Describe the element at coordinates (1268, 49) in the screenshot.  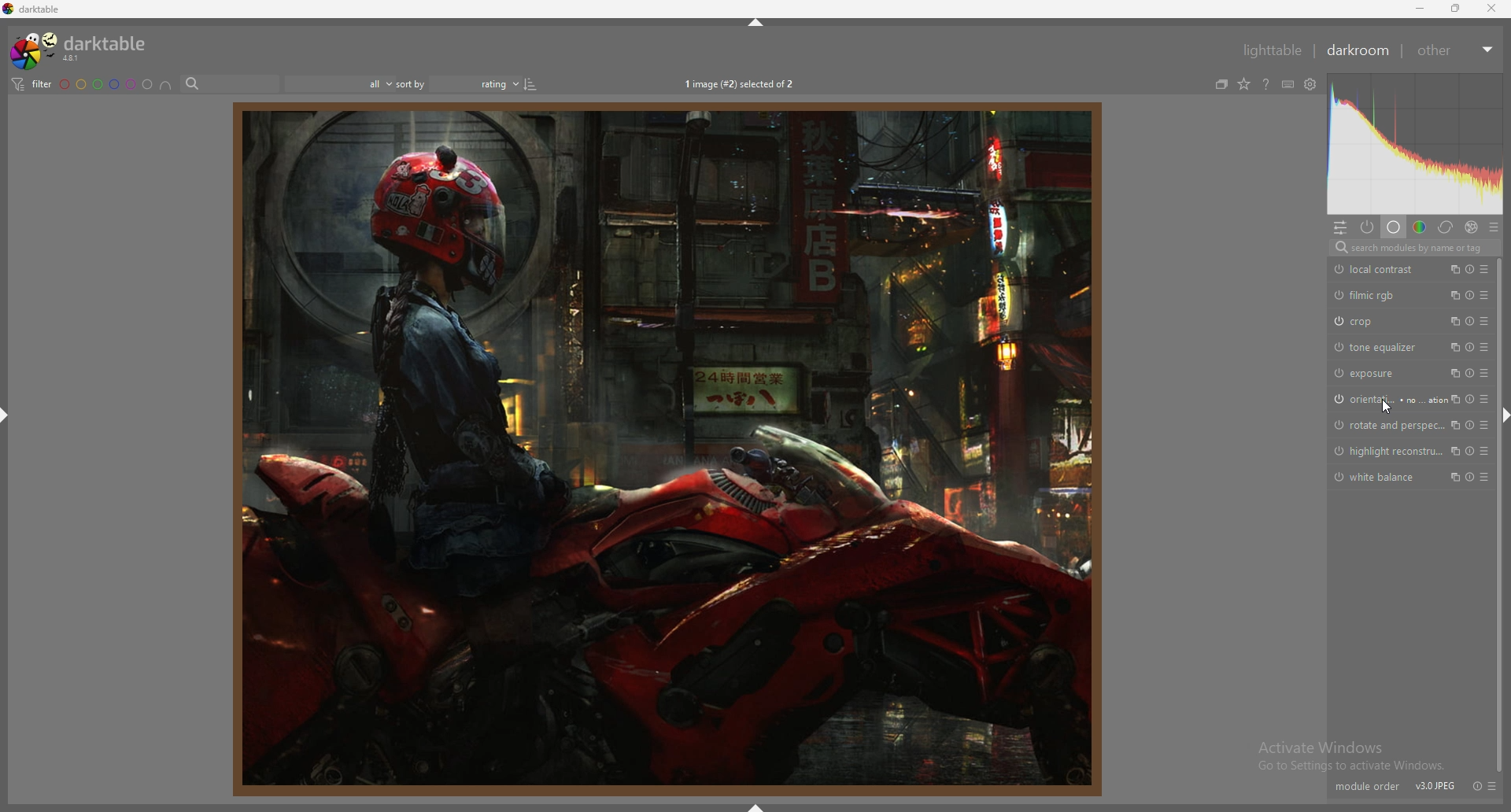
I see `lighttable` at that location.